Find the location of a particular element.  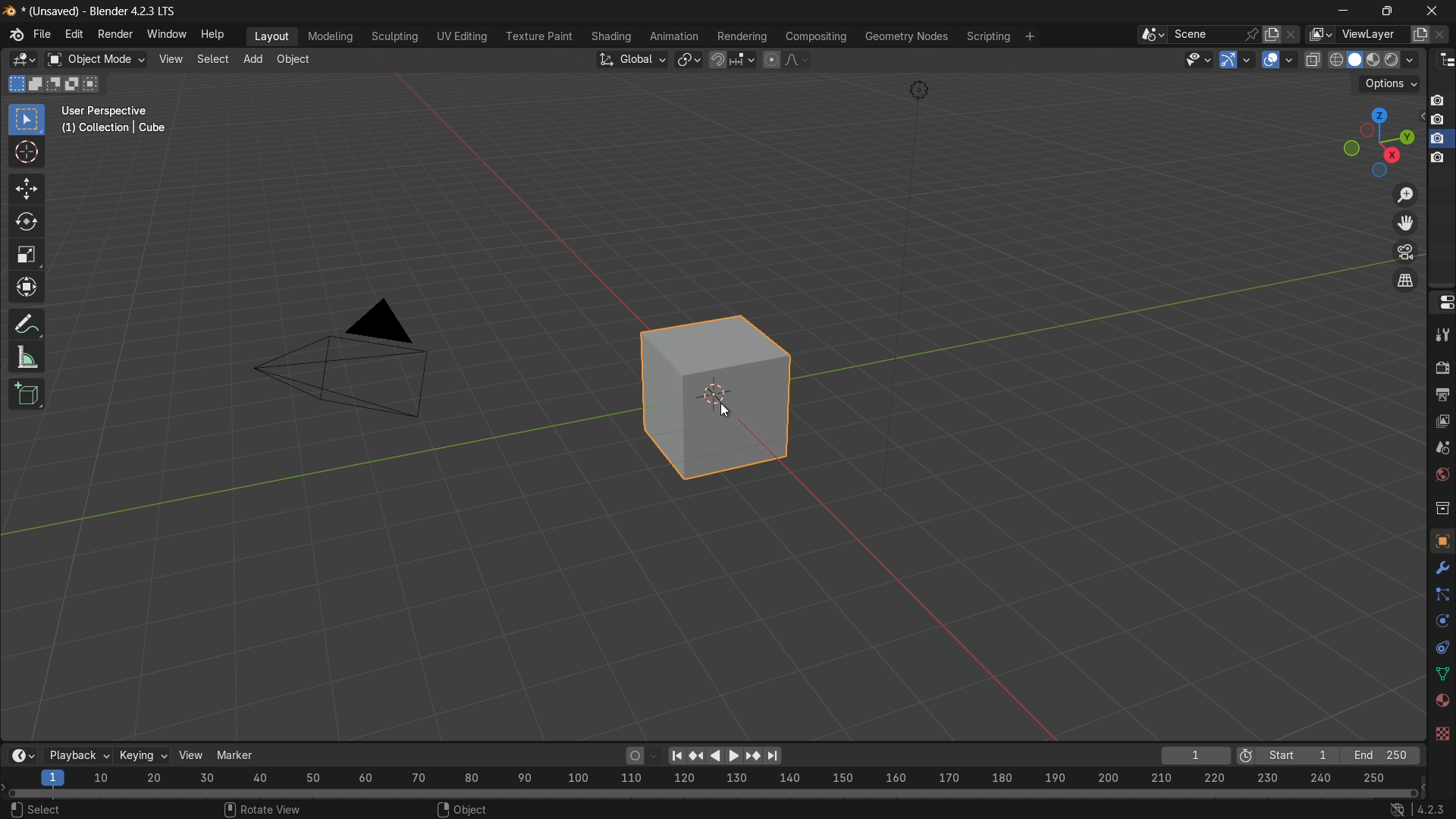

select box is located at coordinates (27, 118).